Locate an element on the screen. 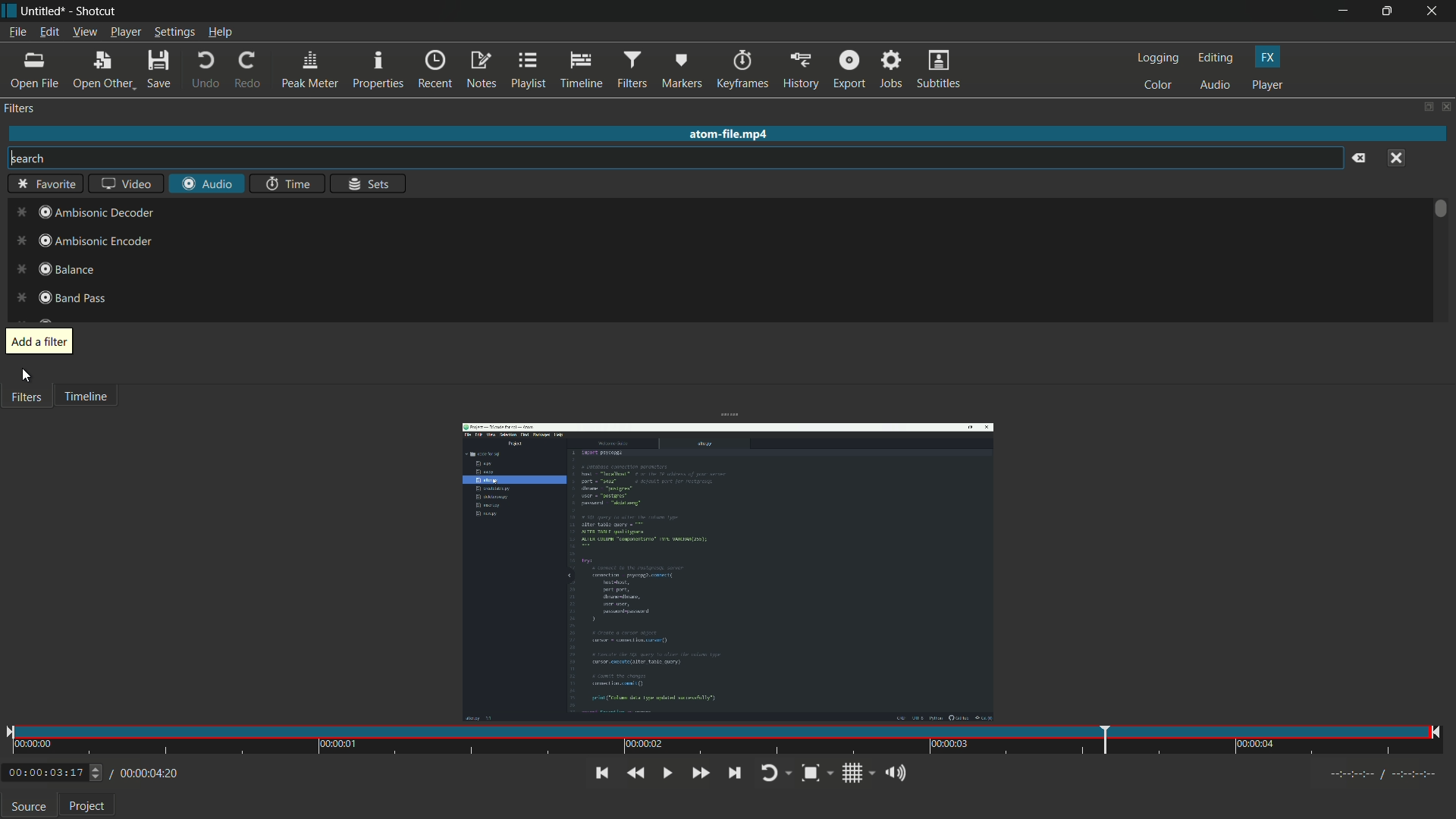  edit menu is located at coordinates (49, 31).